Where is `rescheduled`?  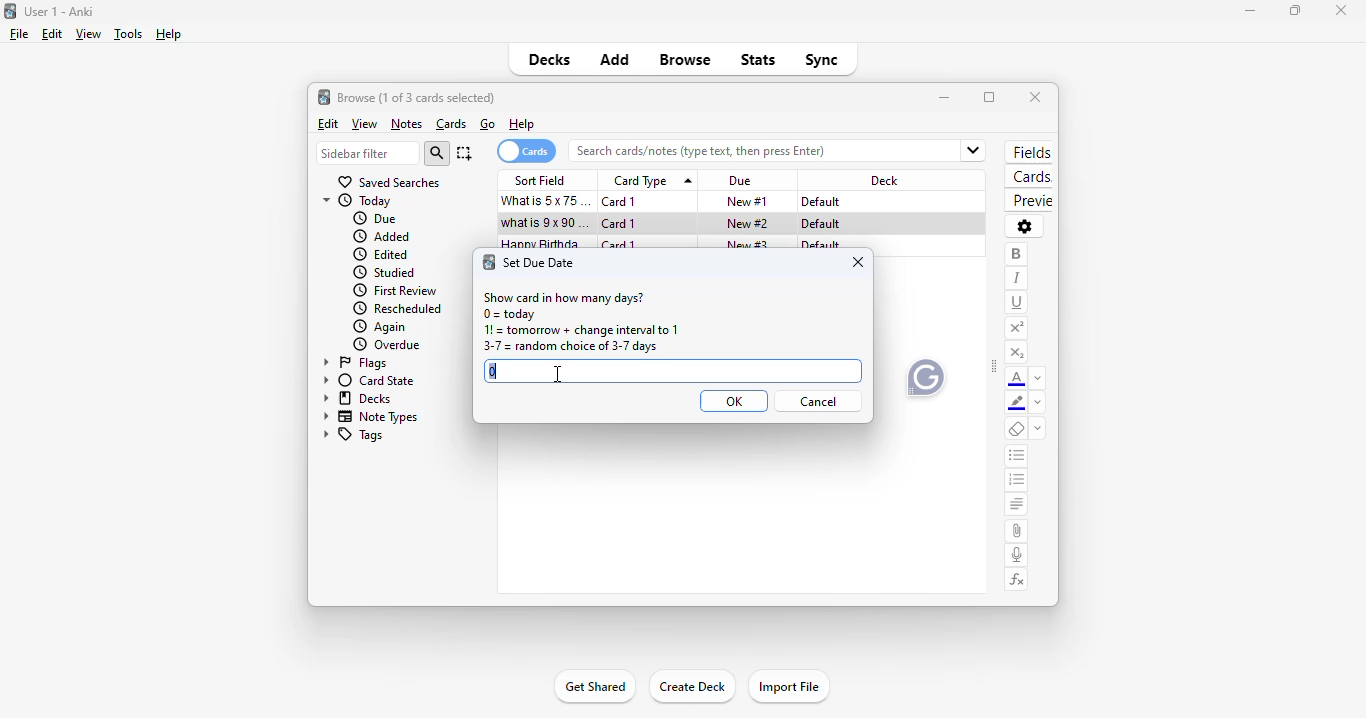
rescheduled is located at coordinates (398, 309).